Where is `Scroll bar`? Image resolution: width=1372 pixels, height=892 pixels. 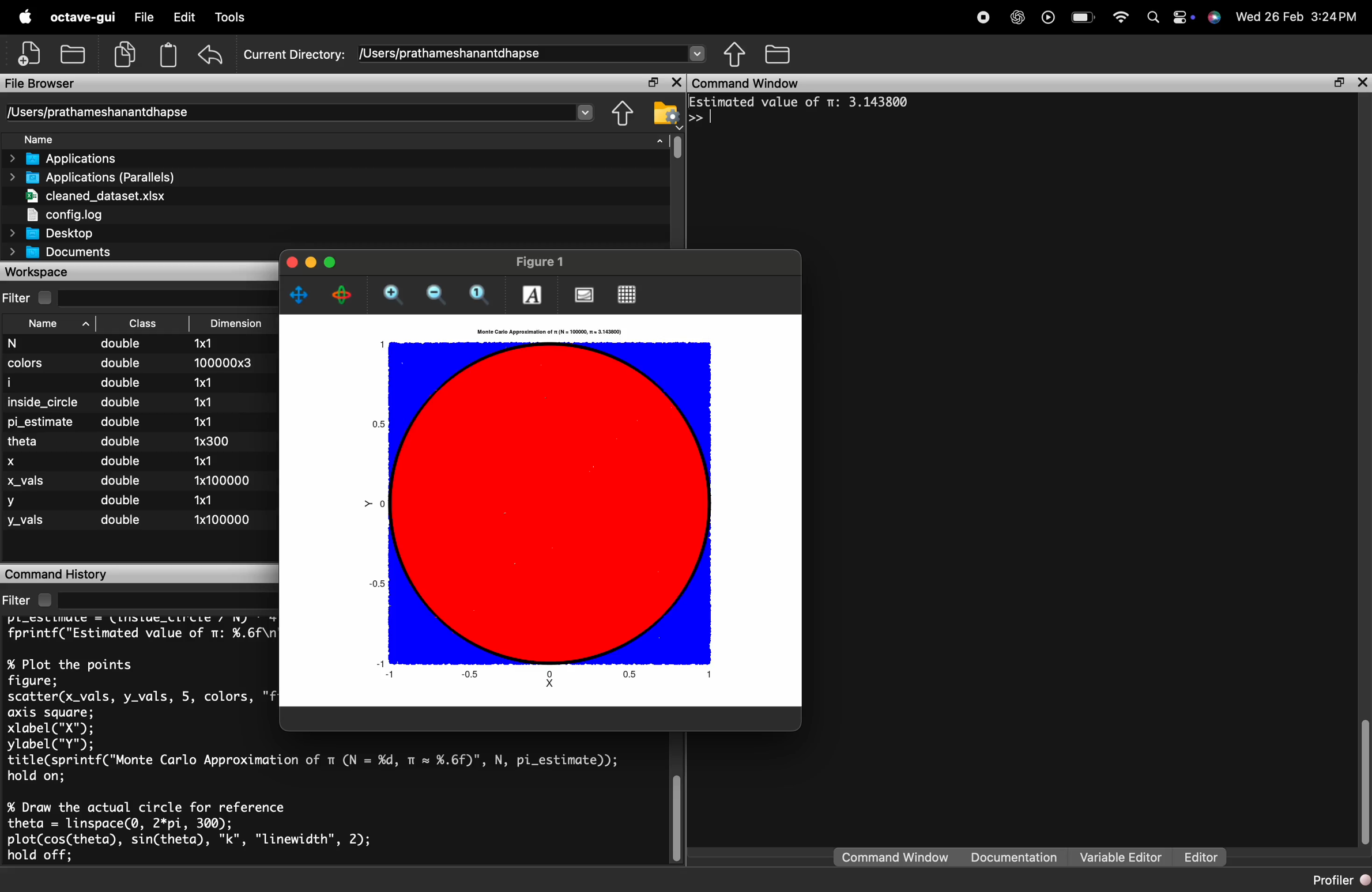 Scroll bar is located at coordinates (676, 816).